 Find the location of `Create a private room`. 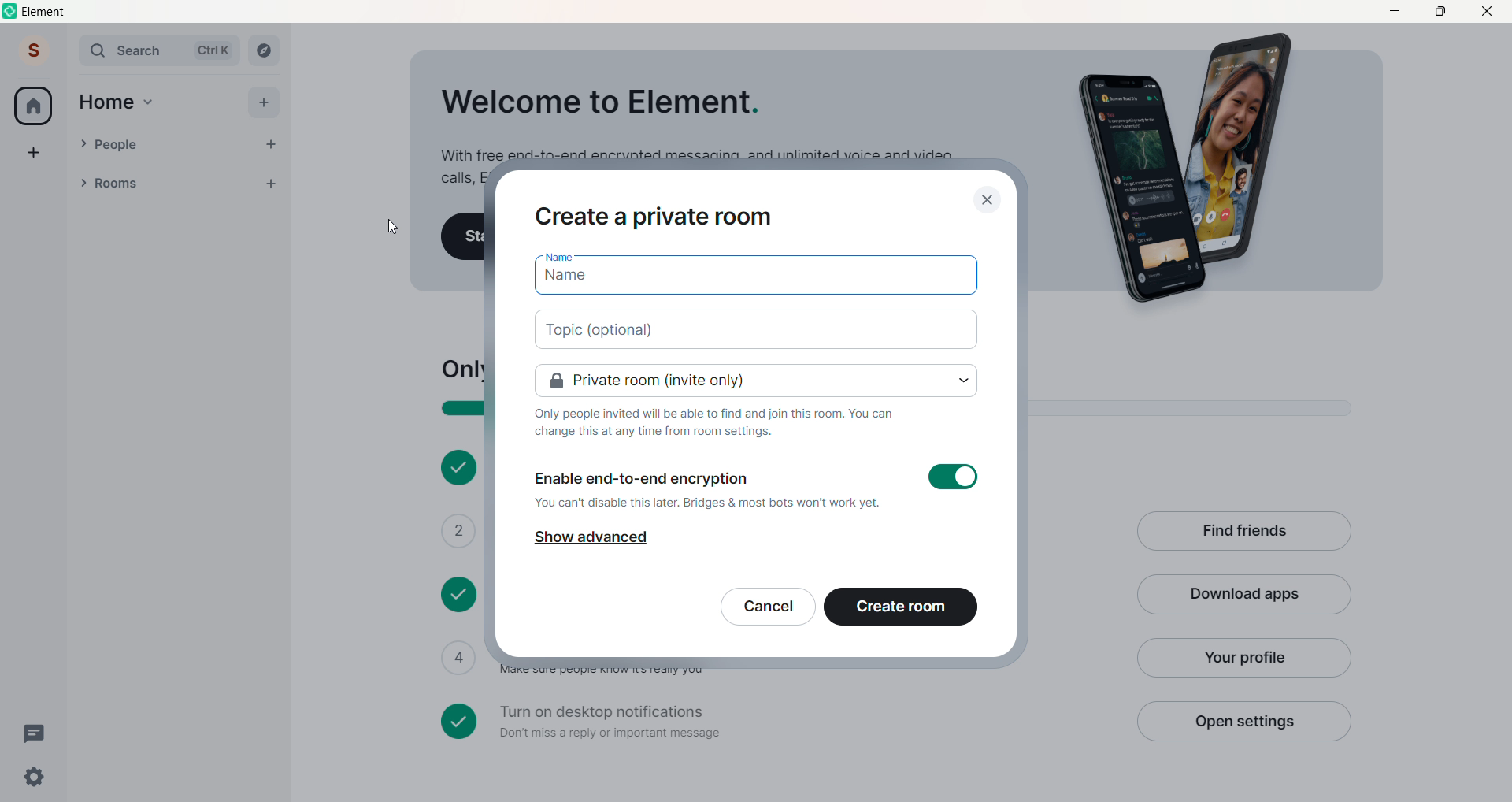

Create a private room is located at coordinates (655, 217).